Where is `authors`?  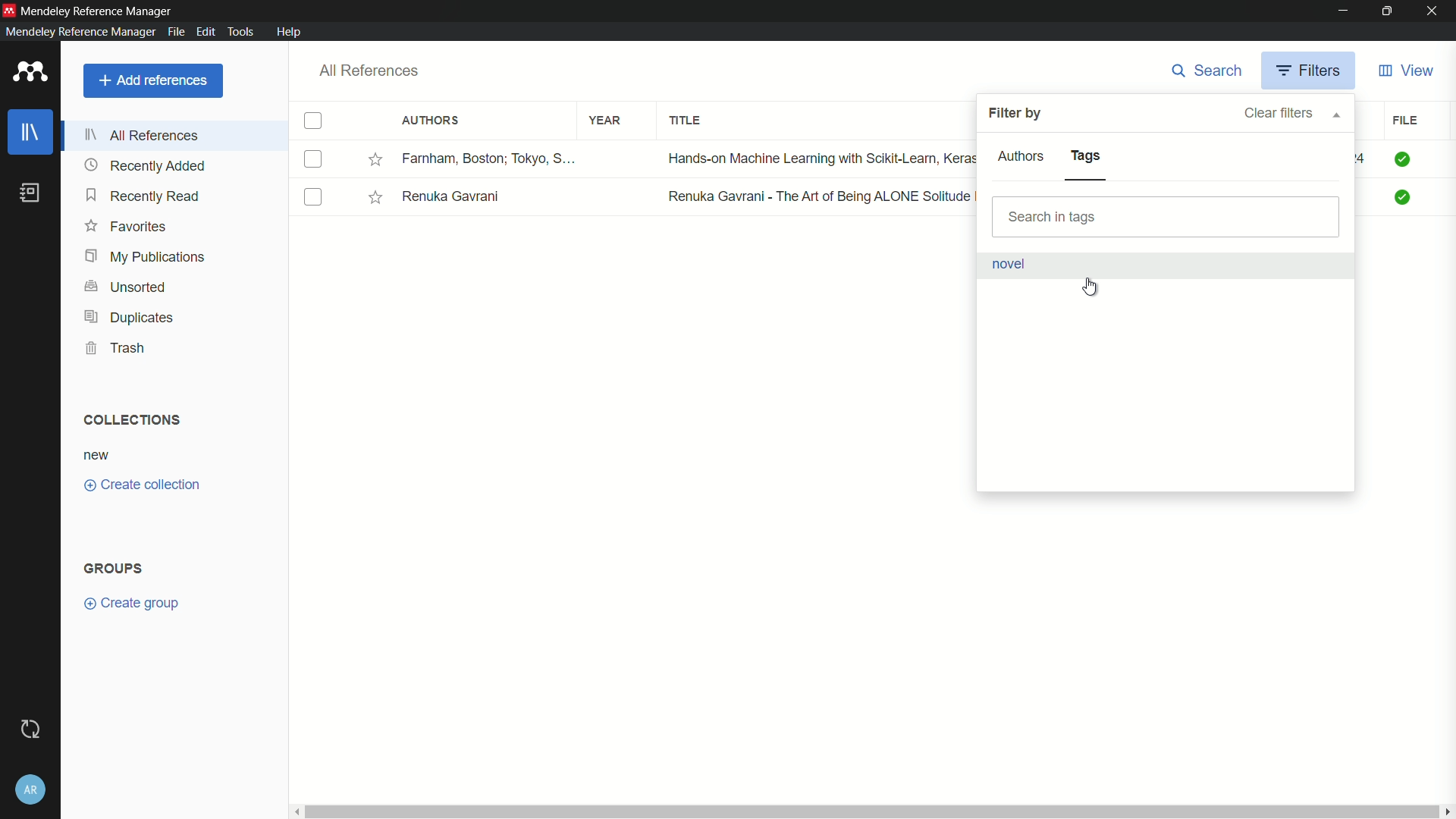 authors is located at coordinates (1022, 156).